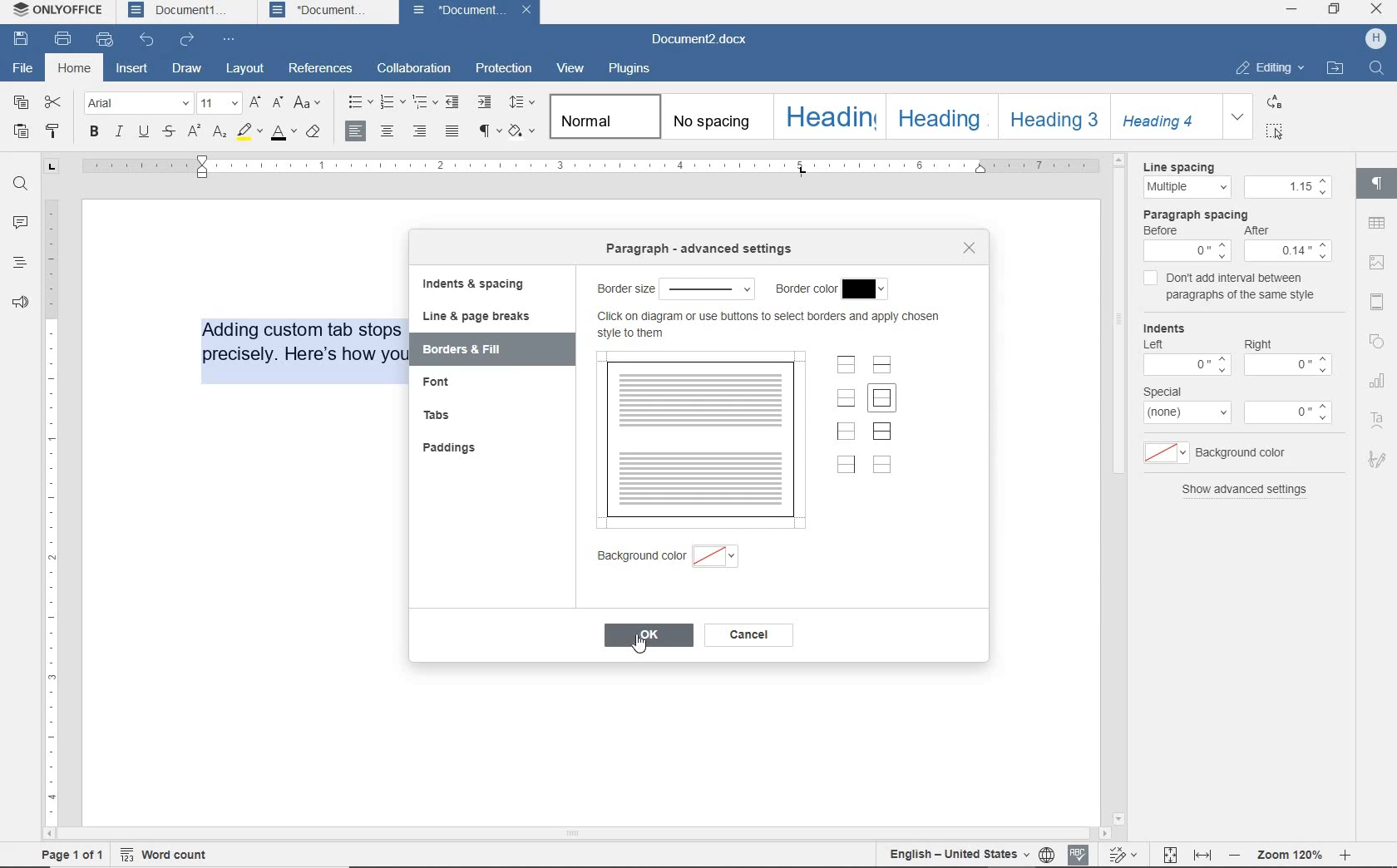 This screenshot has width=1397, height=868. Describe the element at coordinates (1376, 264) in the screenshot. I see `insert image` at that location.